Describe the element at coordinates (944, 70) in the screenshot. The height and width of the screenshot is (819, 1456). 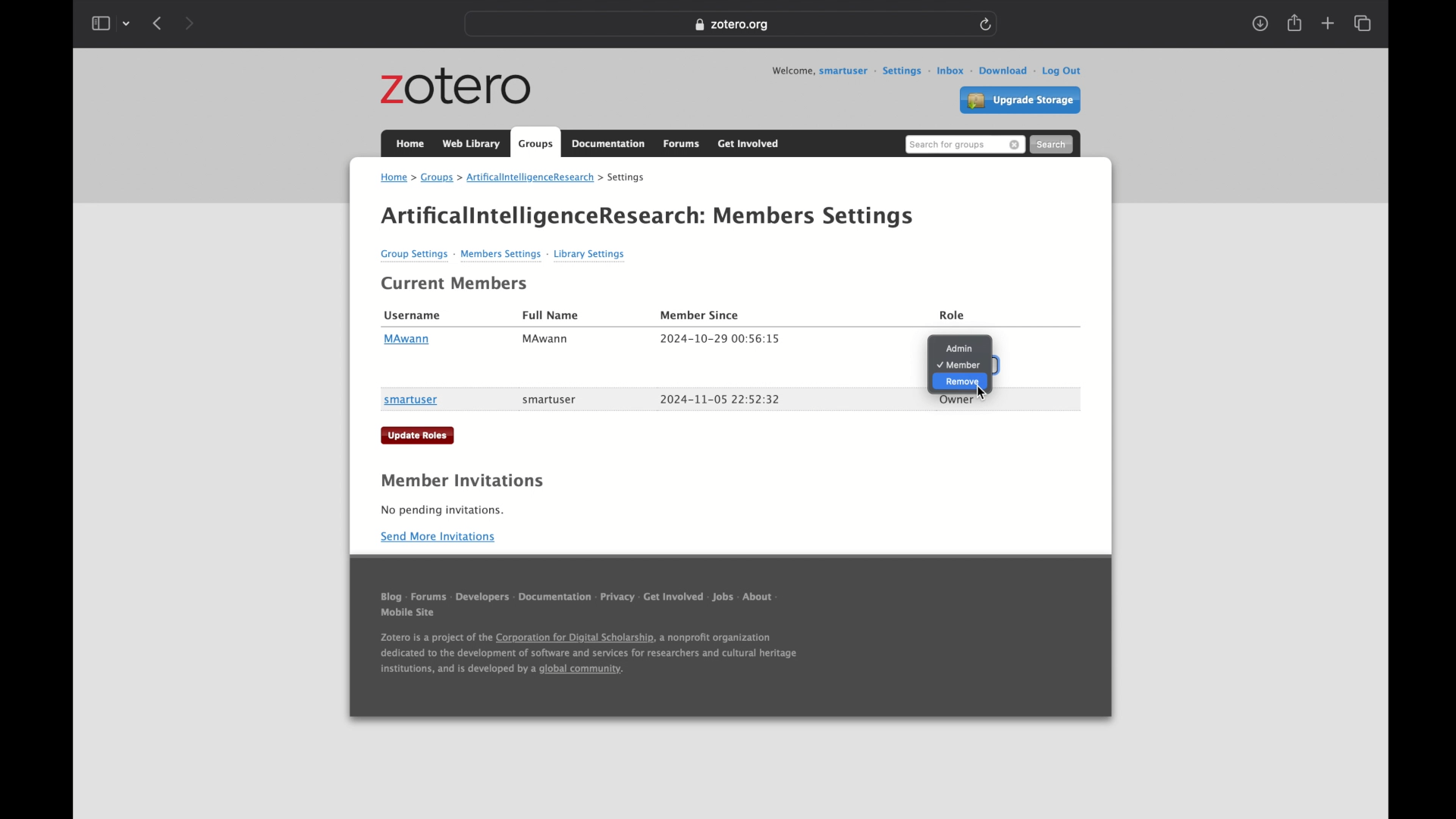
I see `inbox` at that location.